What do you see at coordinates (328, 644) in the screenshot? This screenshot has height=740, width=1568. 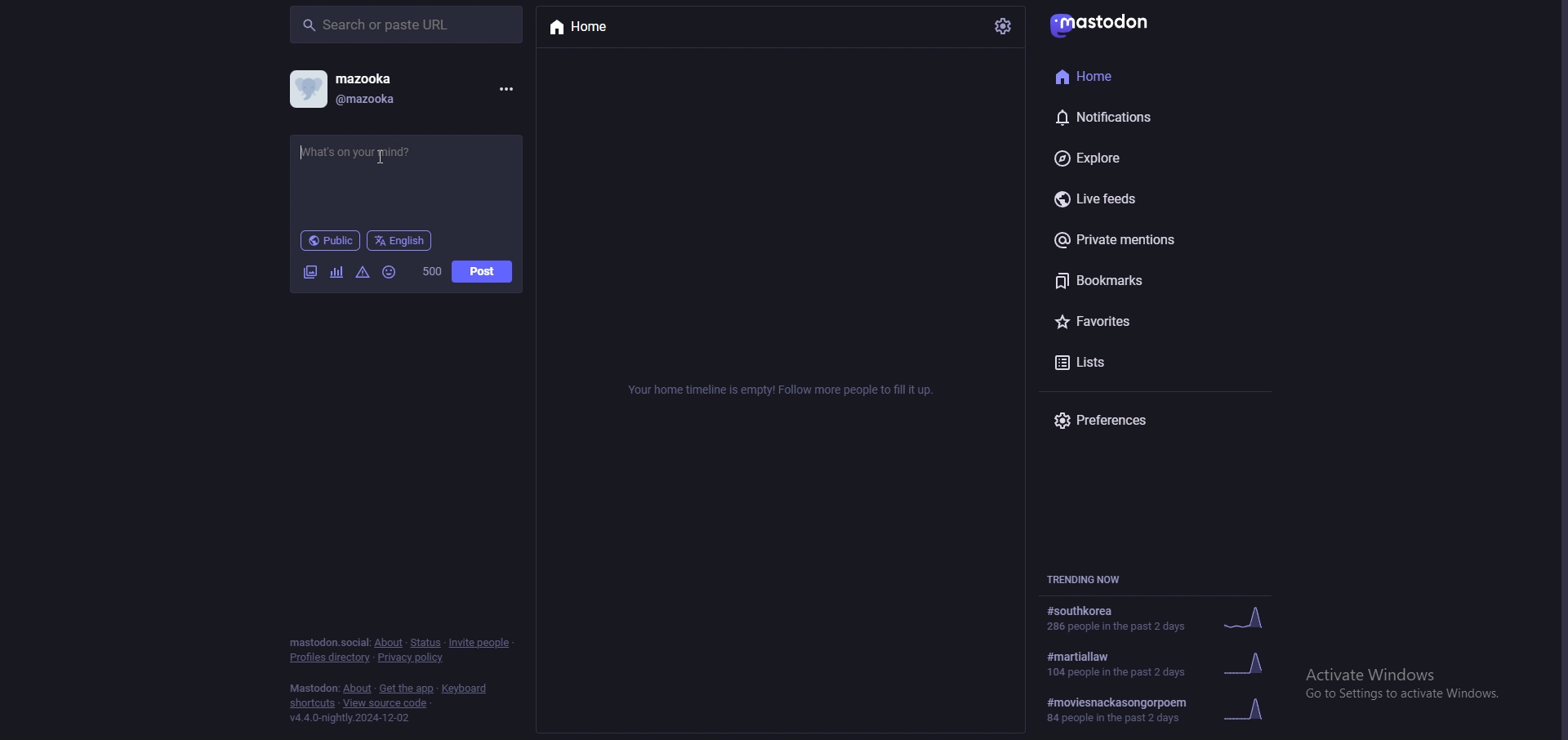 I see `mastodon social` at bounding box center [328, 644].